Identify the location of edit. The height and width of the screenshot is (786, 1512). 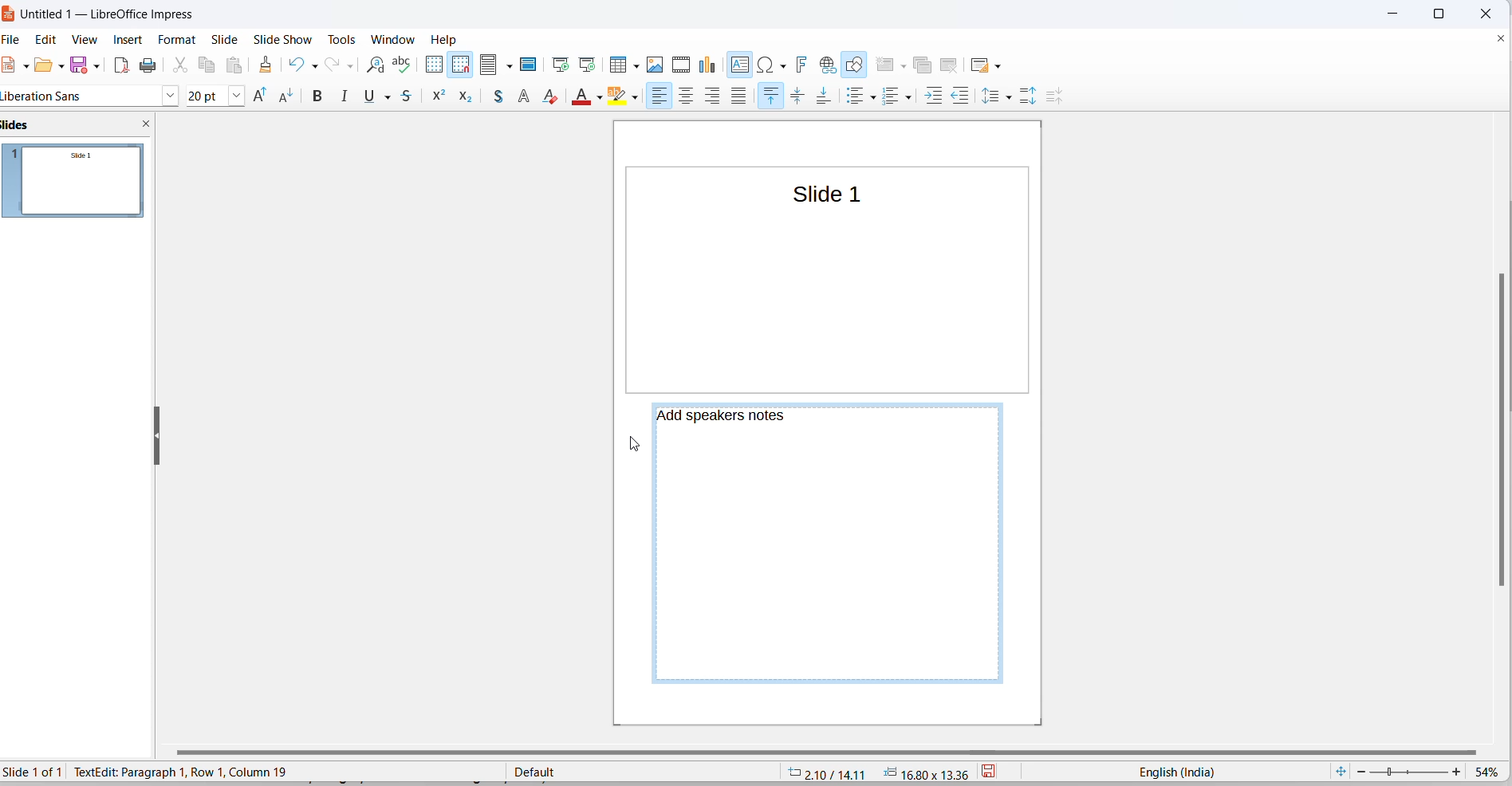
(49, 39).